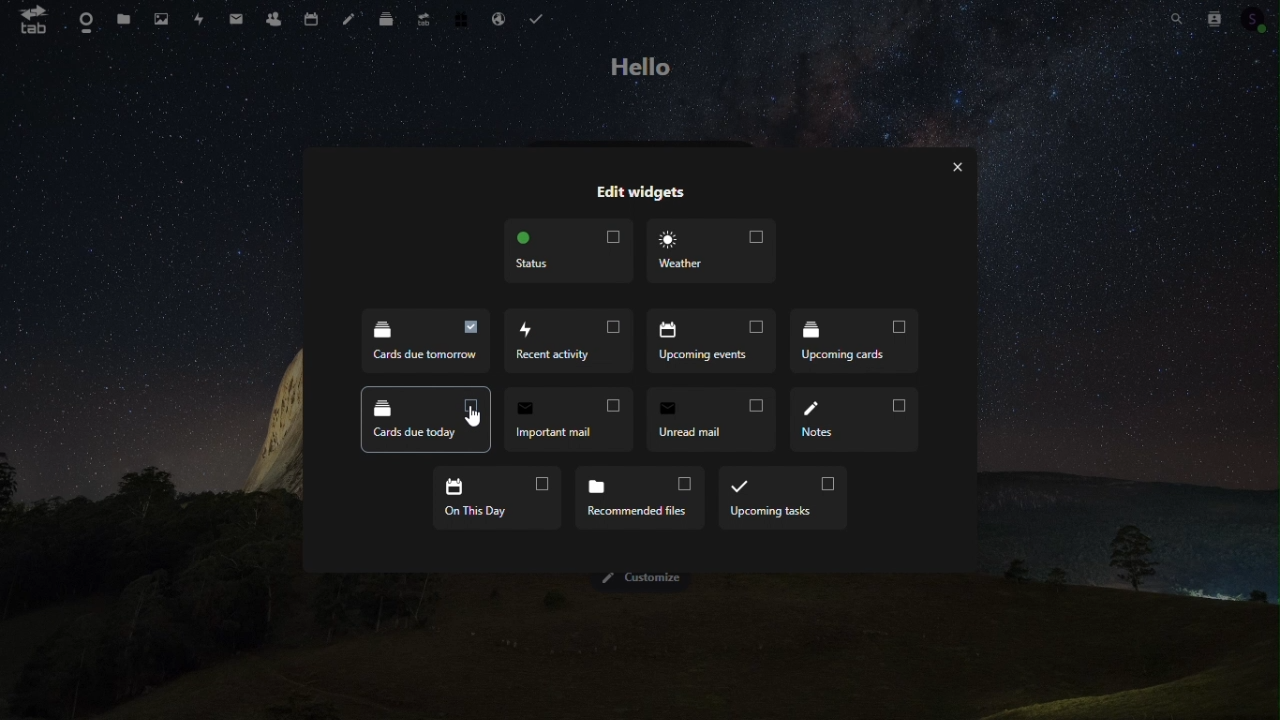 Image resolution: width=1280 pixels, height=720 pixels. Describe the element at coordinates (236, 18) in the screenshot. I see `mail` at that location.